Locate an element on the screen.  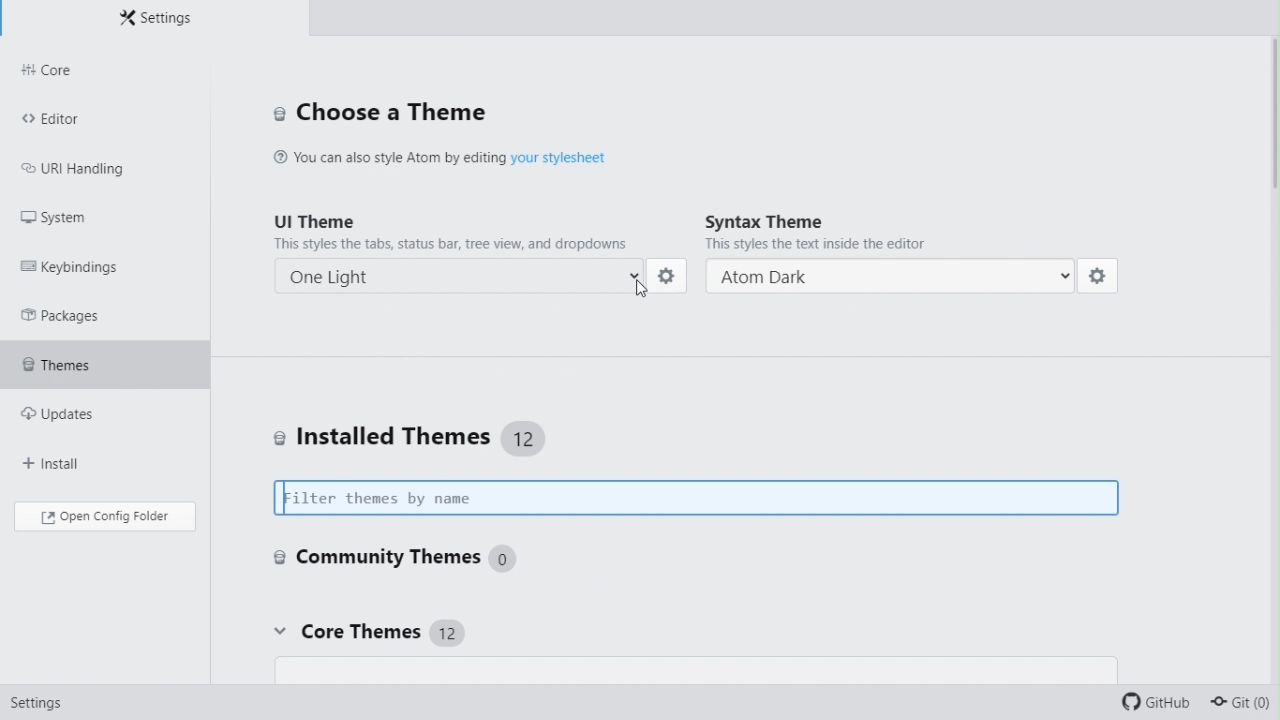
hyperlink is located at coordinates (562, 157).